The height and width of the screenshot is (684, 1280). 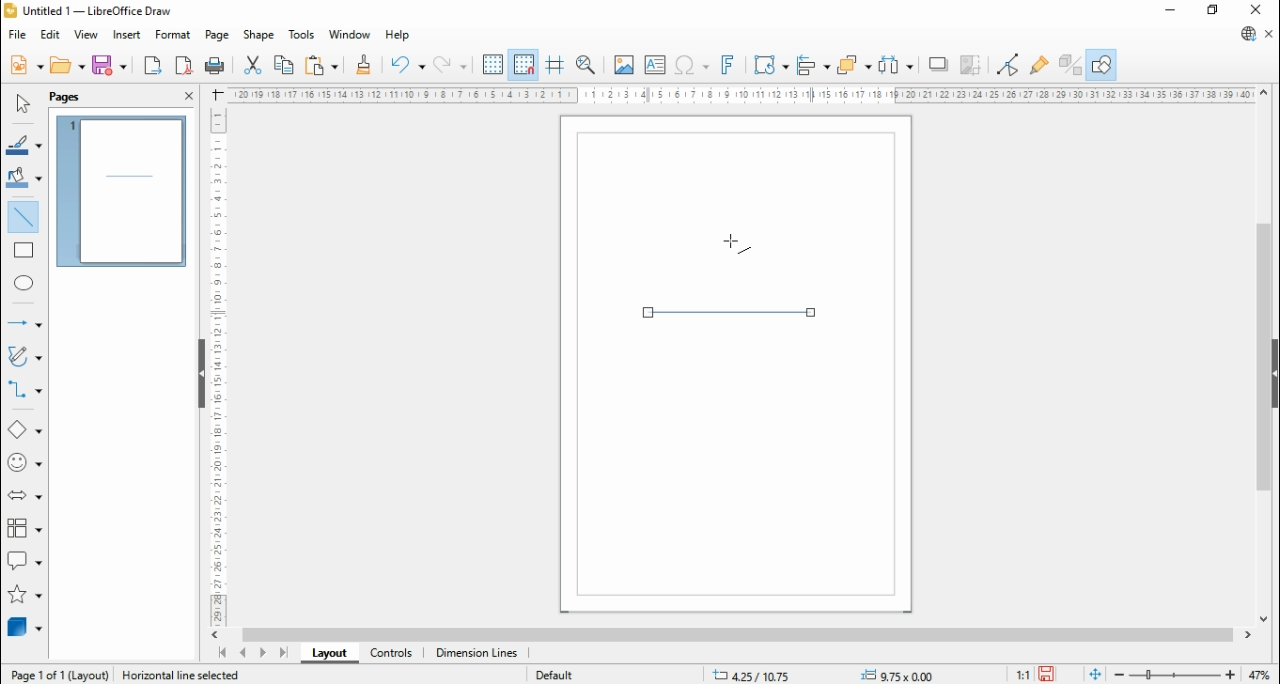 What do you see at coordinates (122, 191) in the screenshot?
I see `page 1` at bounding box center [122, 191].